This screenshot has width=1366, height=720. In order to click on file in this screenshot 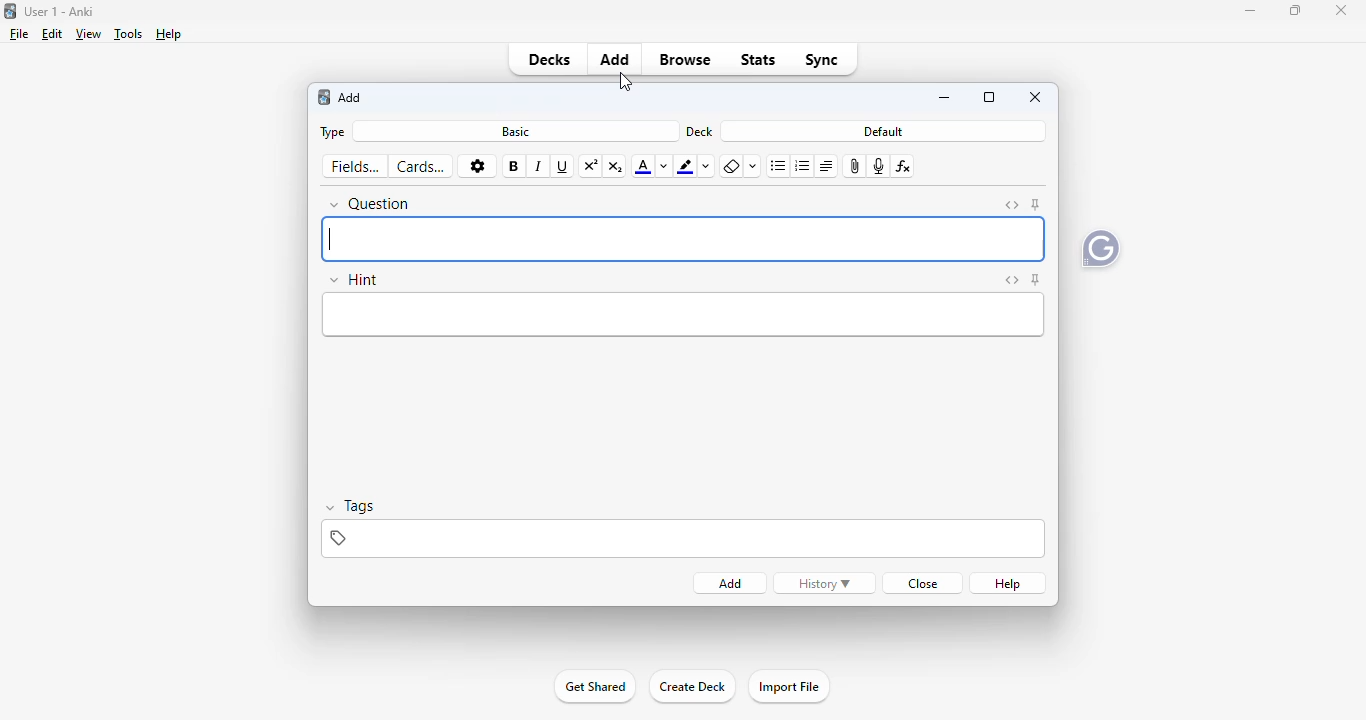, I will do `click(20, 34)`.